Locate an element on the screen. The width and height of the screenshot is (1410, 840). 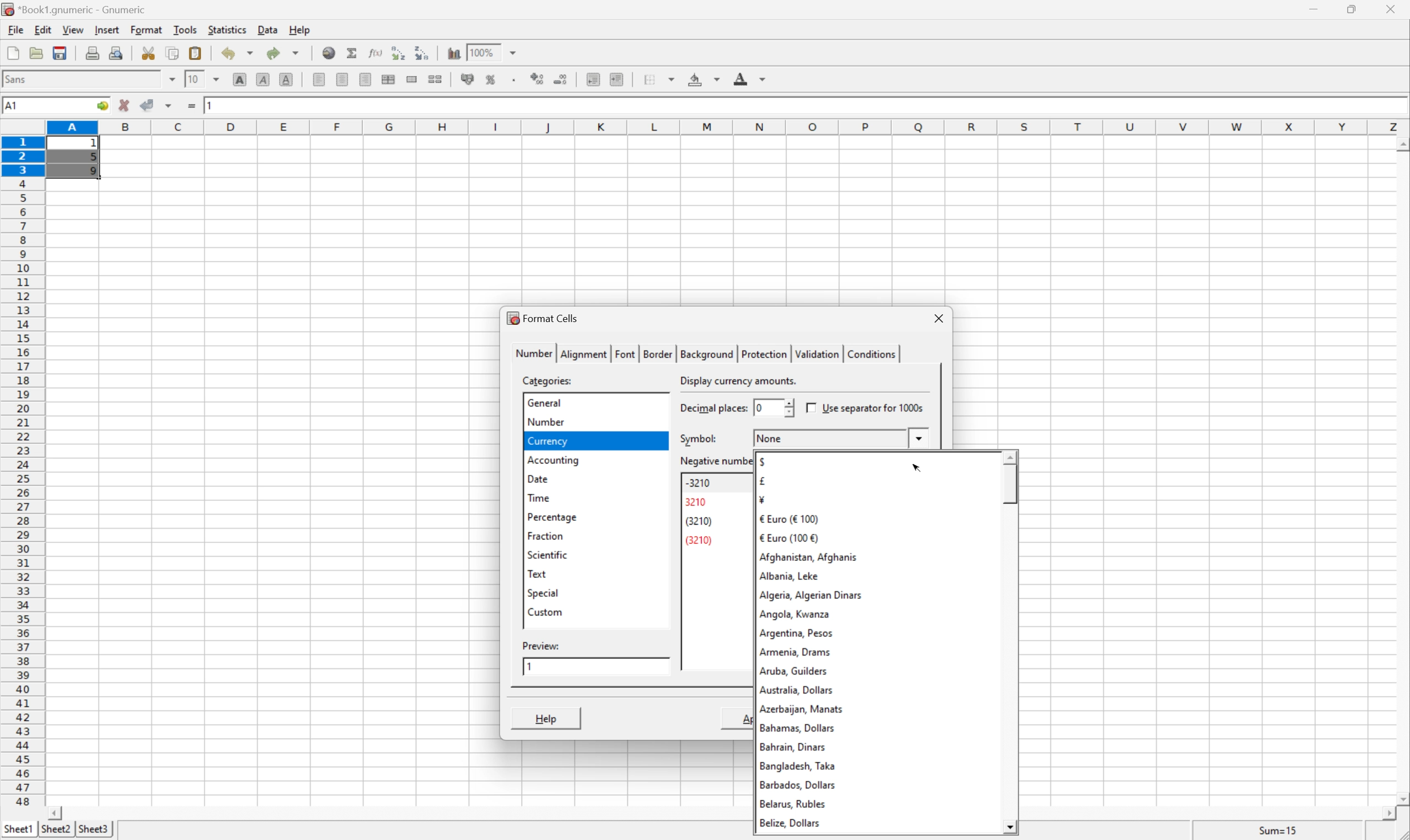
file is located at coordinates (14, 28).